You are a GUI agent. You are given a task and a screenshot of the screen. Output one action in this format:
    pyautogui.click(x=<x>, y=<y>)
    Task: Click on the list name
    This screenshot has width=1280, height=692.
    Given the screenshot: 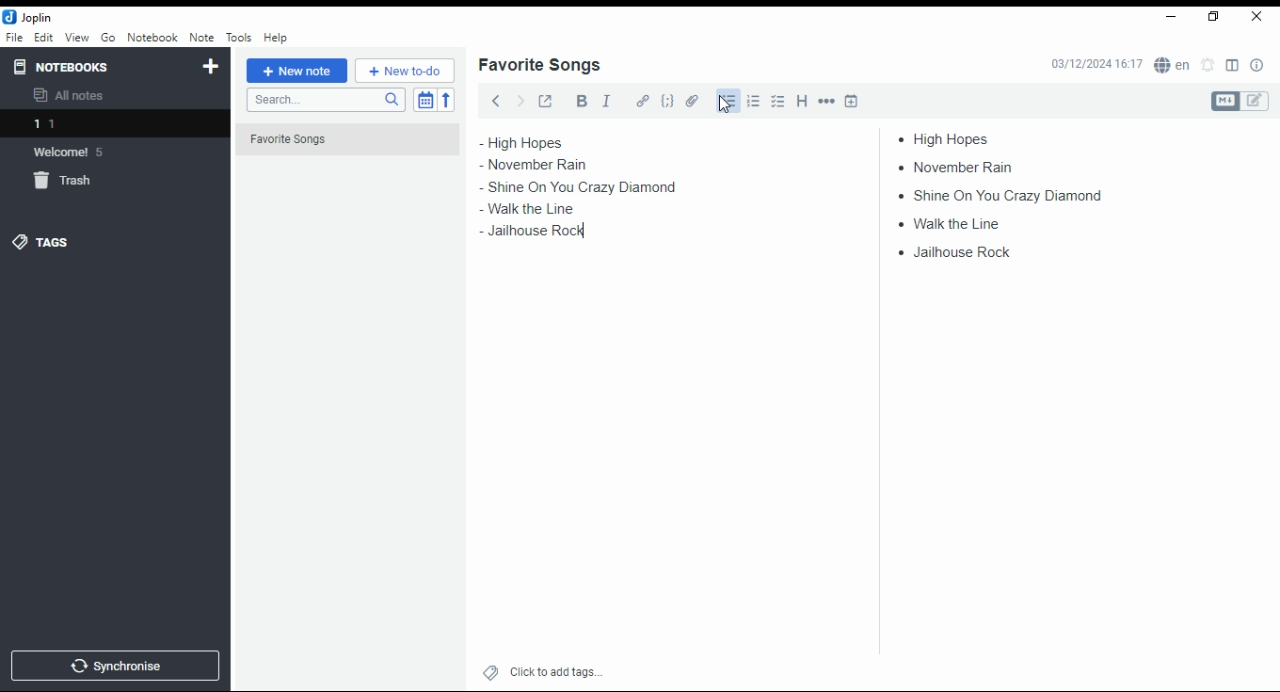 What is the action you would take?
    pyautogui.click(x=539, y=66)
    